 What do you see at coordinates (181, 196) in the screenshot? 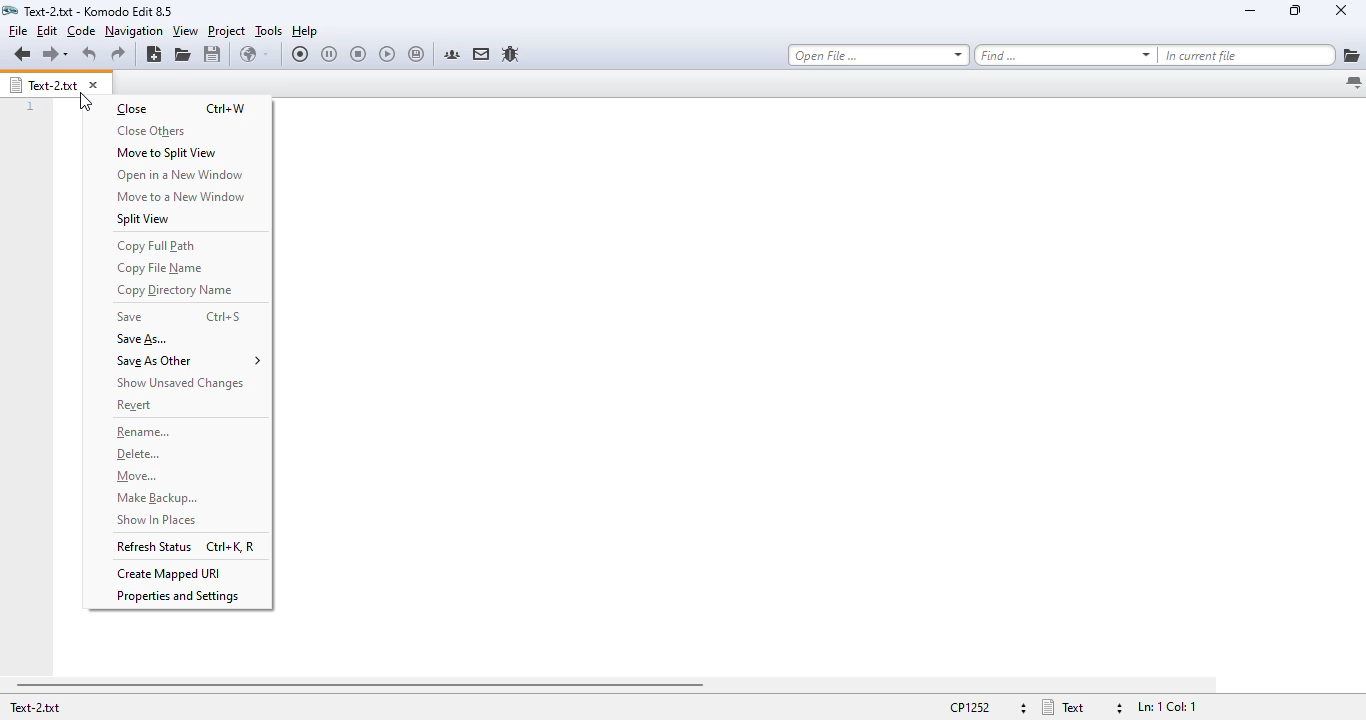
I see `move to a new window` at bounding box center [181, 196].